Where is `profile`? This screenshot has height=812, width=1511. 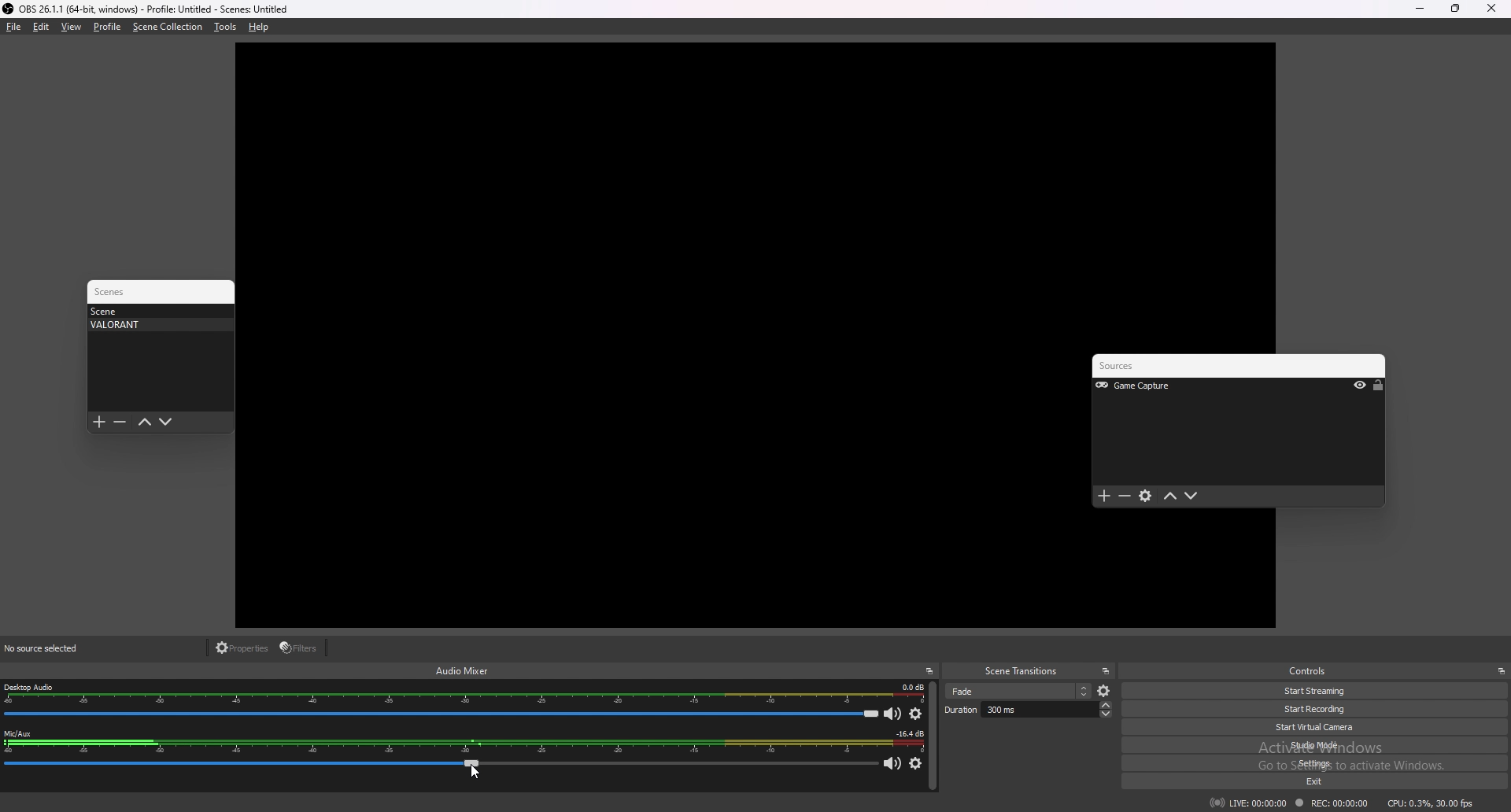
profile is located at coordinates (107, 27).